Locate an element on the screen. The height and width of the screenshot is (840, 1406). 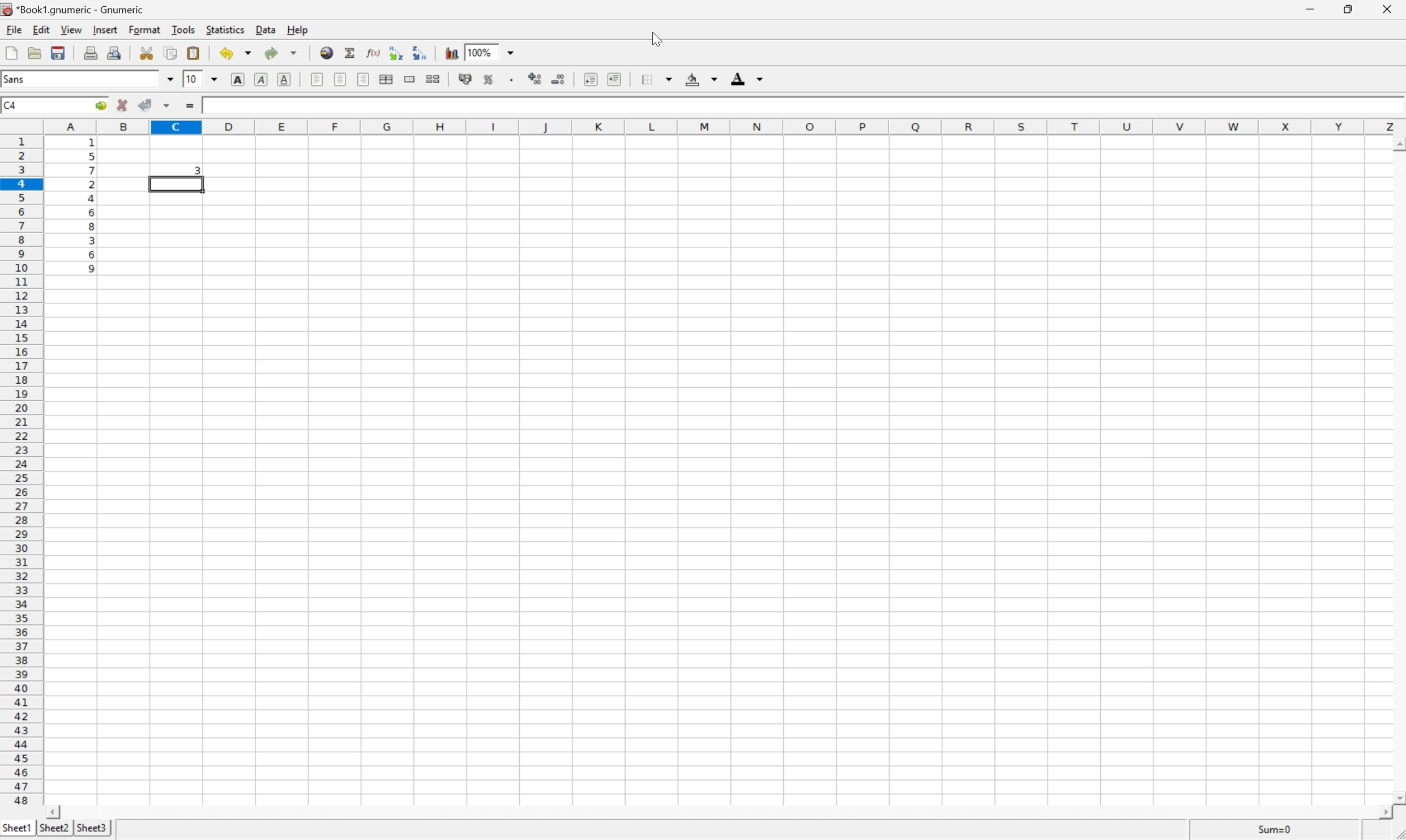
print is located at coordinates (91, 53).